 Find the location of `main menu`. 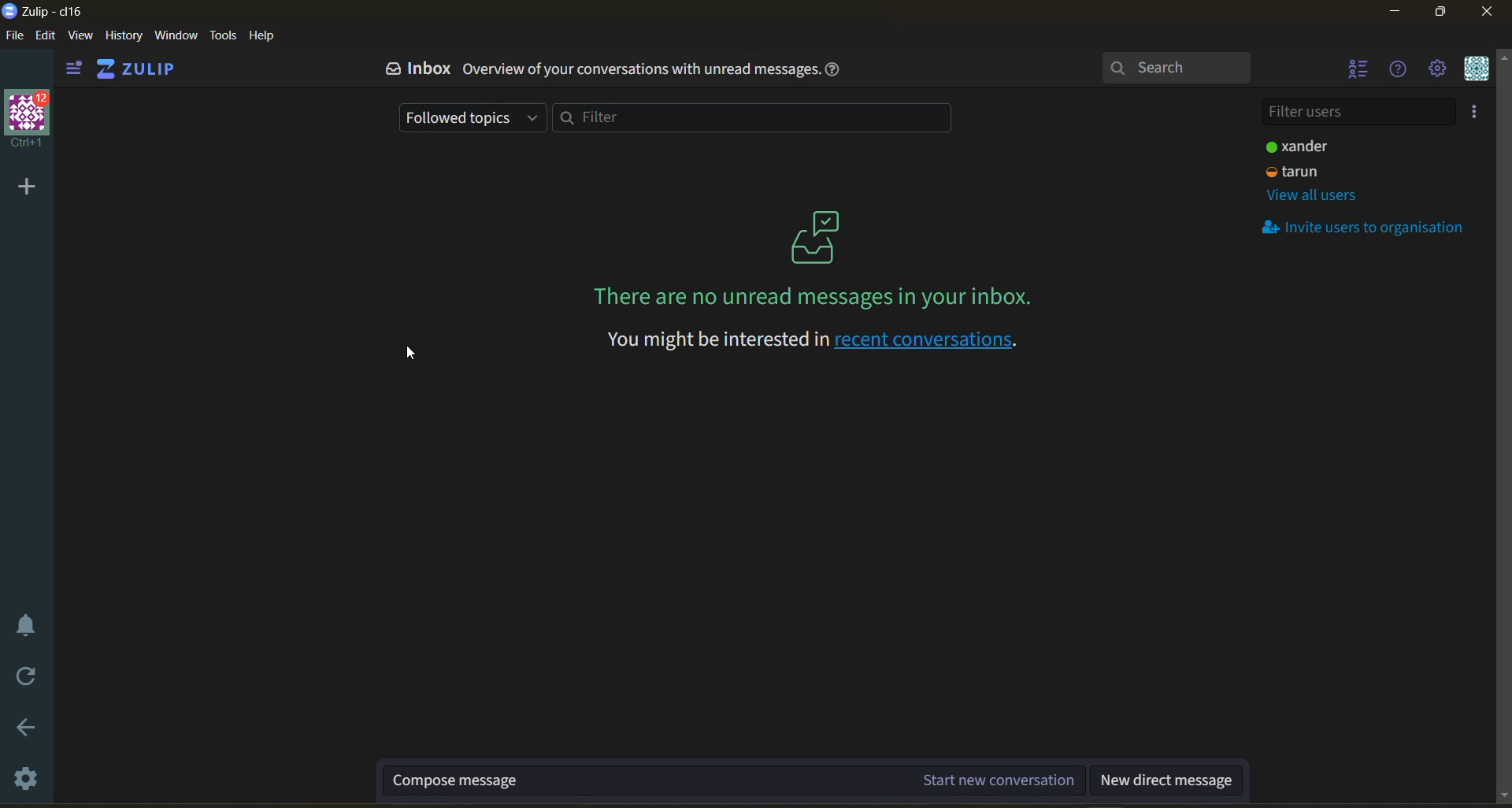

main menu is located at coordinates (1443, 70).